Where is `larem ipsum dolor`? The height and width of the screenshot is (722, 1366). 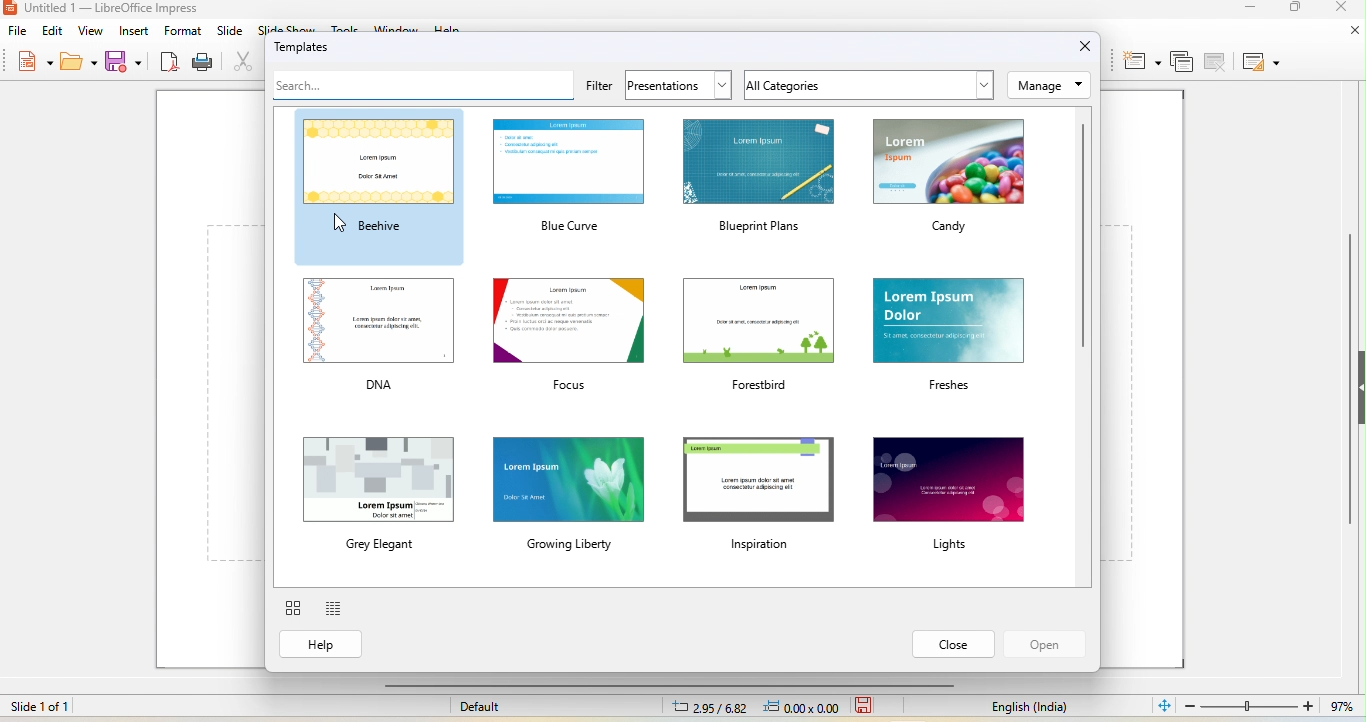 larem ipsum dolor is located at coordinates (949, 337).